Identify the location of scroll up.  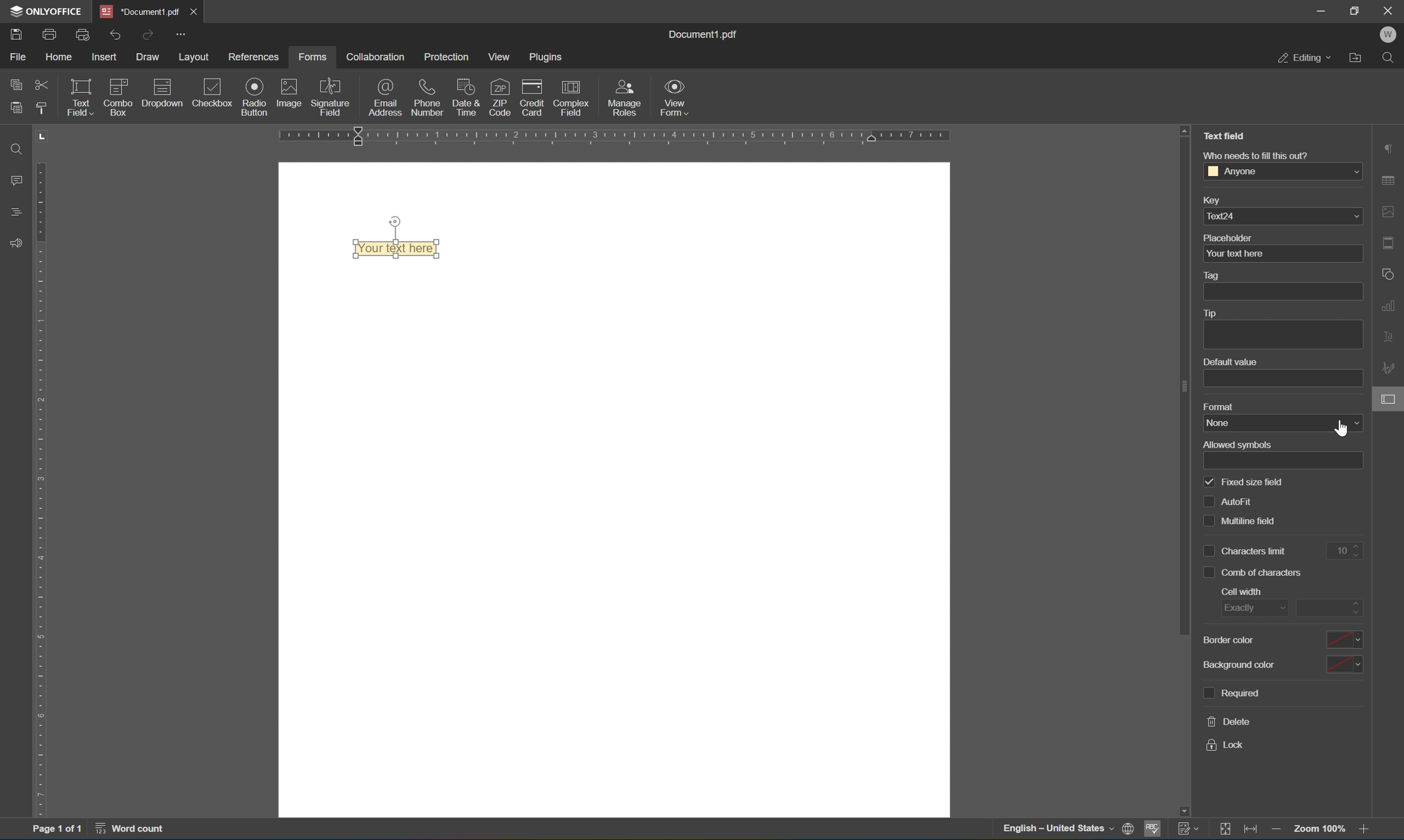
(1184, 129).